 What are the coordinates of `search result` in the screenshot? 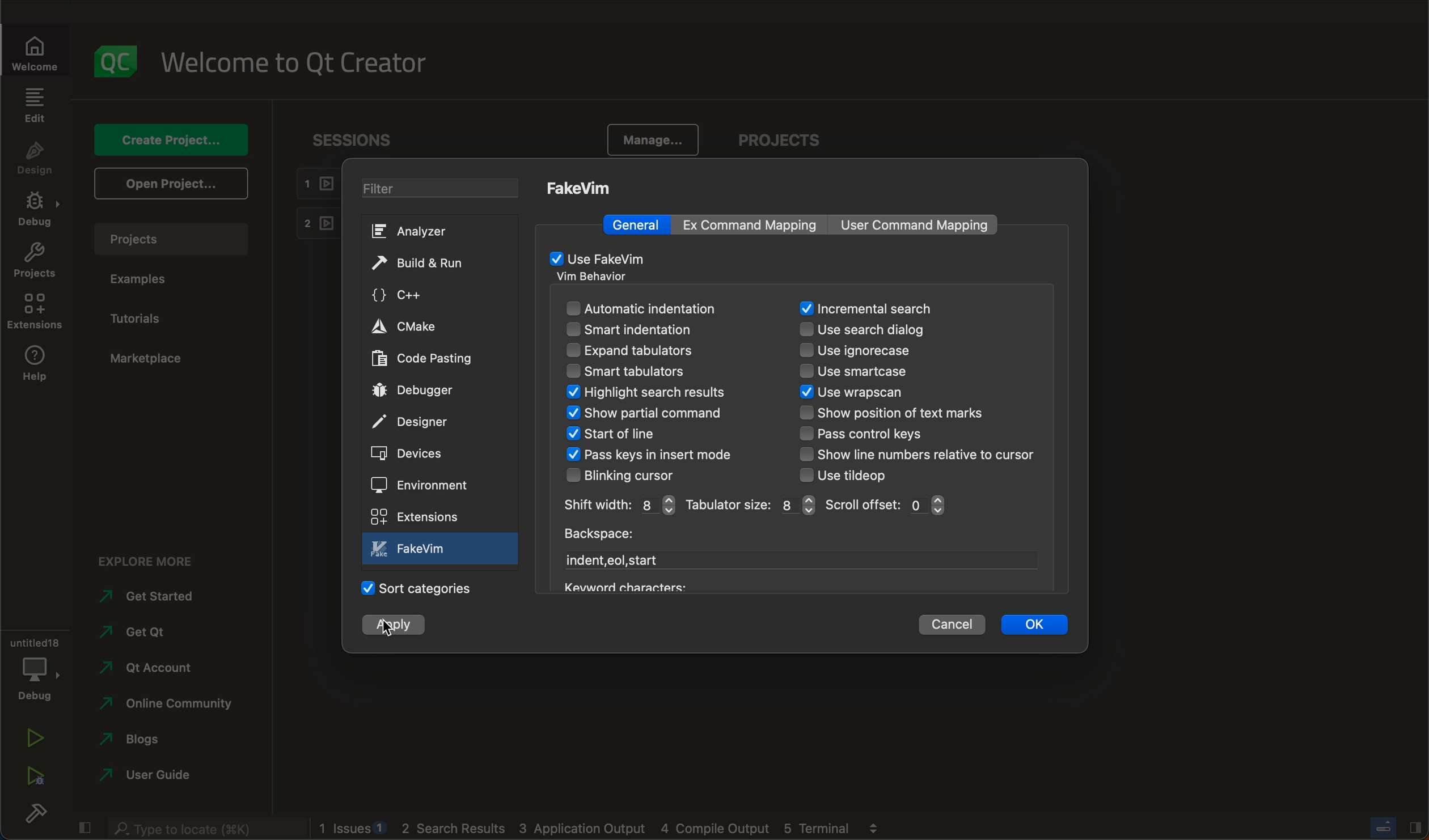 It's located at (666, 393).